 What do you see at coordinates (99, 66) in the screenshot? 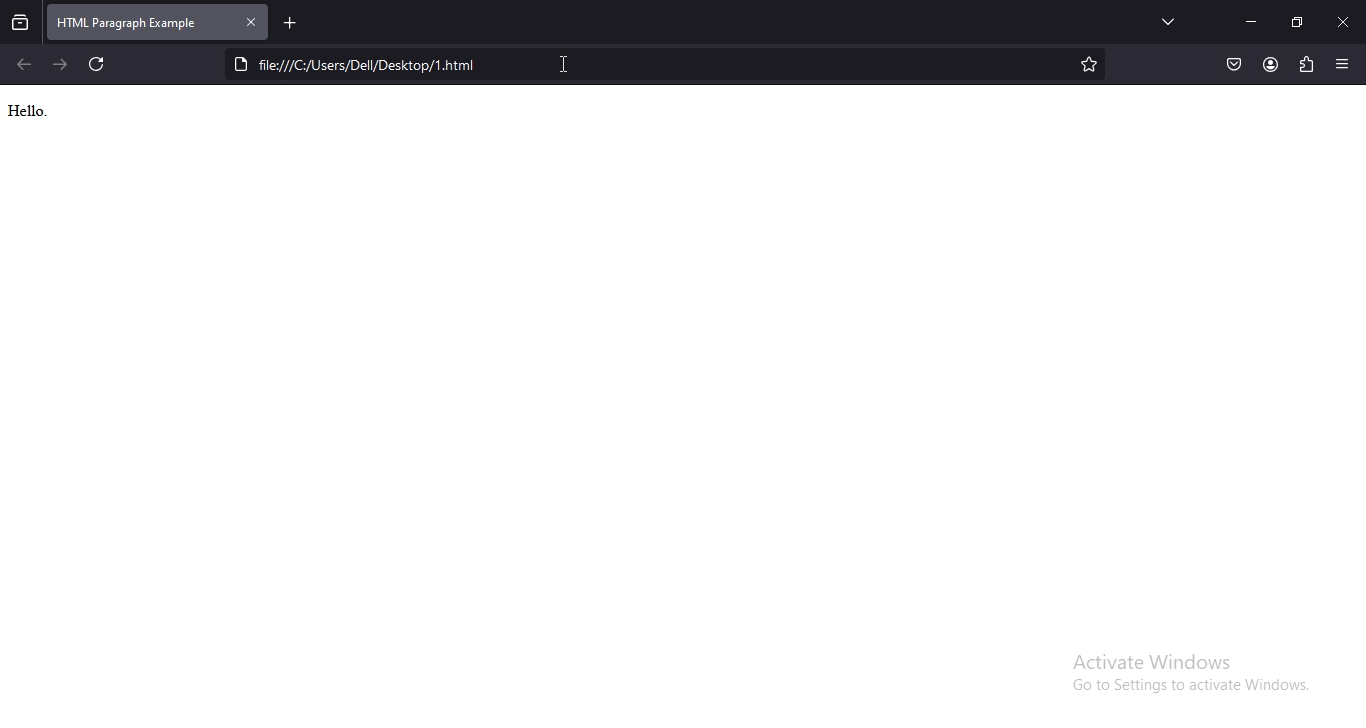
I see `refresh` at bounding box center [99, 66].